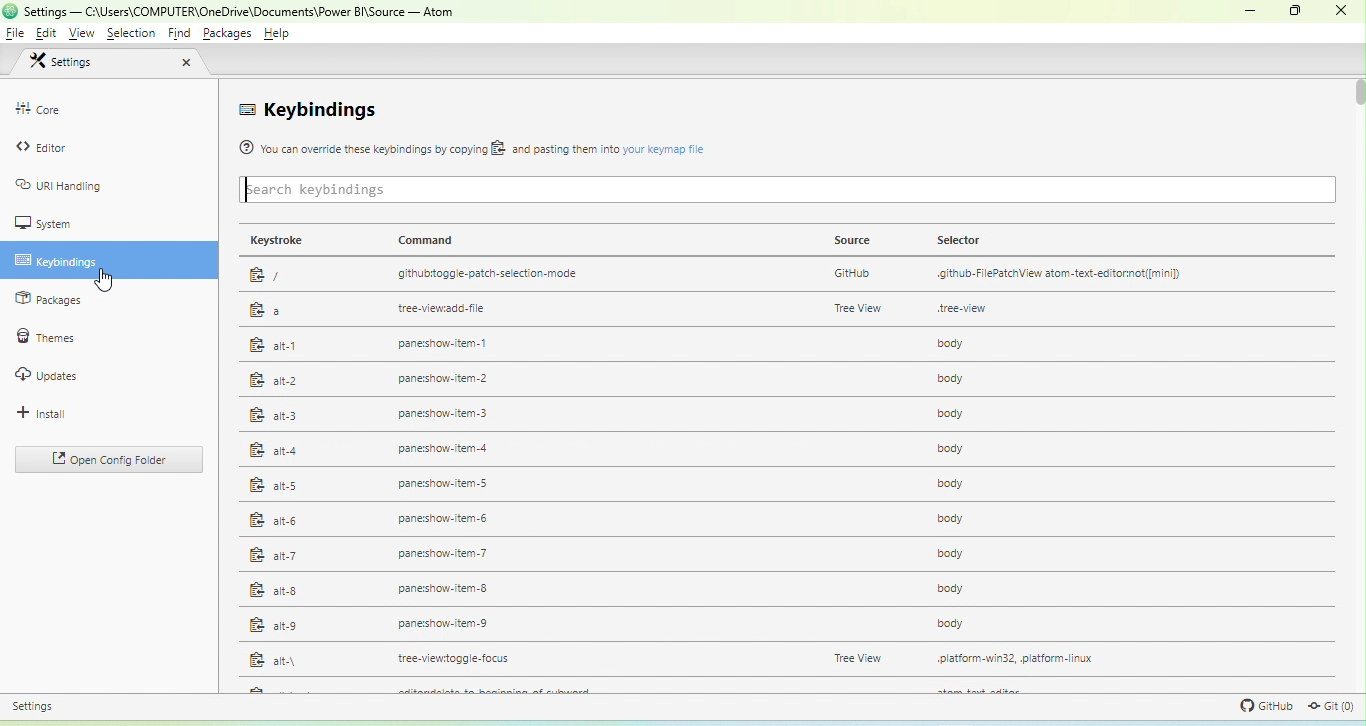 The height and width of the screenshot is (726, 1366). What do you see at coordinates (227, 33) in the screenshot?
I see `packages menu` at bounding box center [227, 33].